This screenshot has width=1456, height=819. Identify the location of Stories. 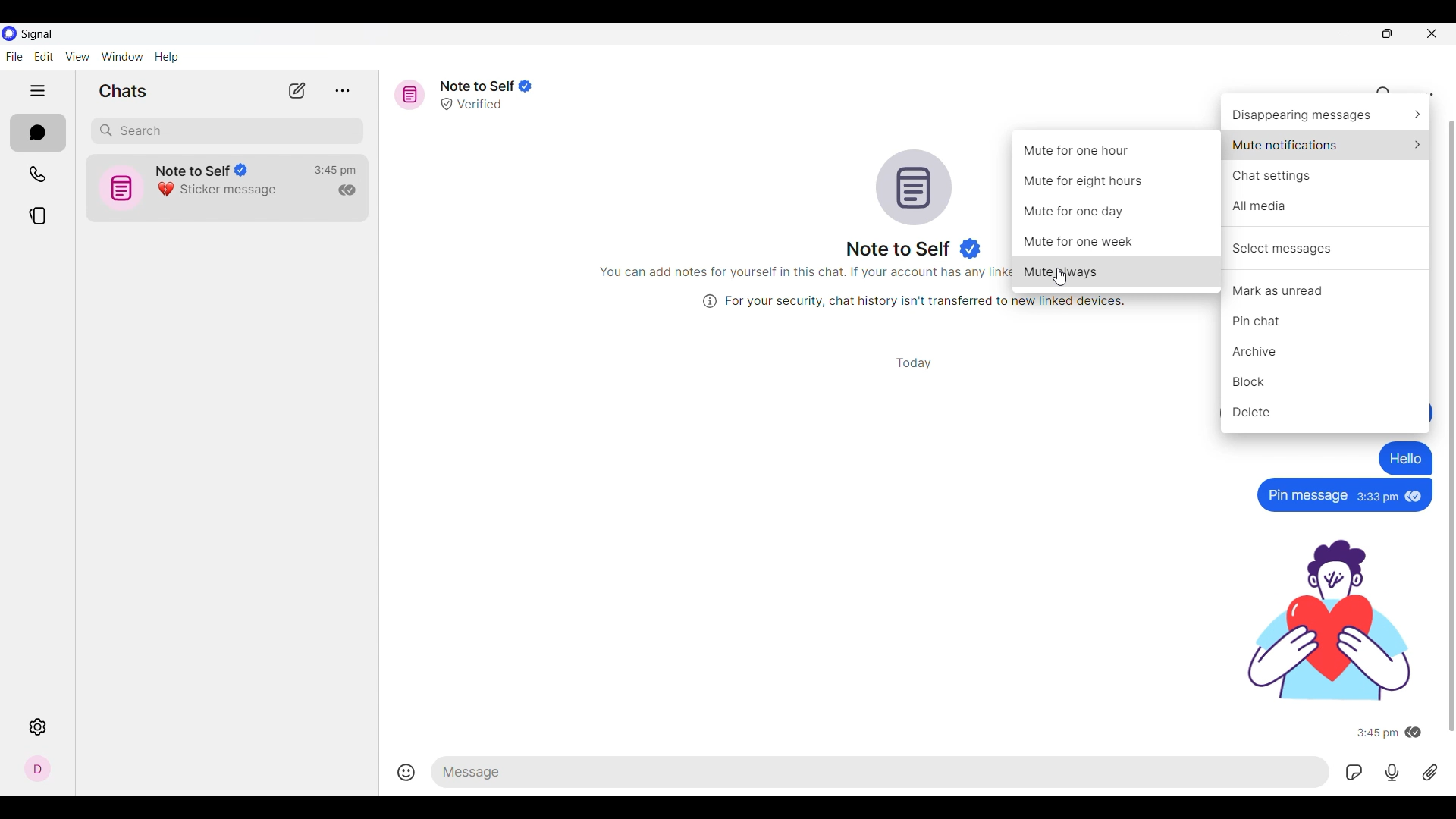
(38, 216).